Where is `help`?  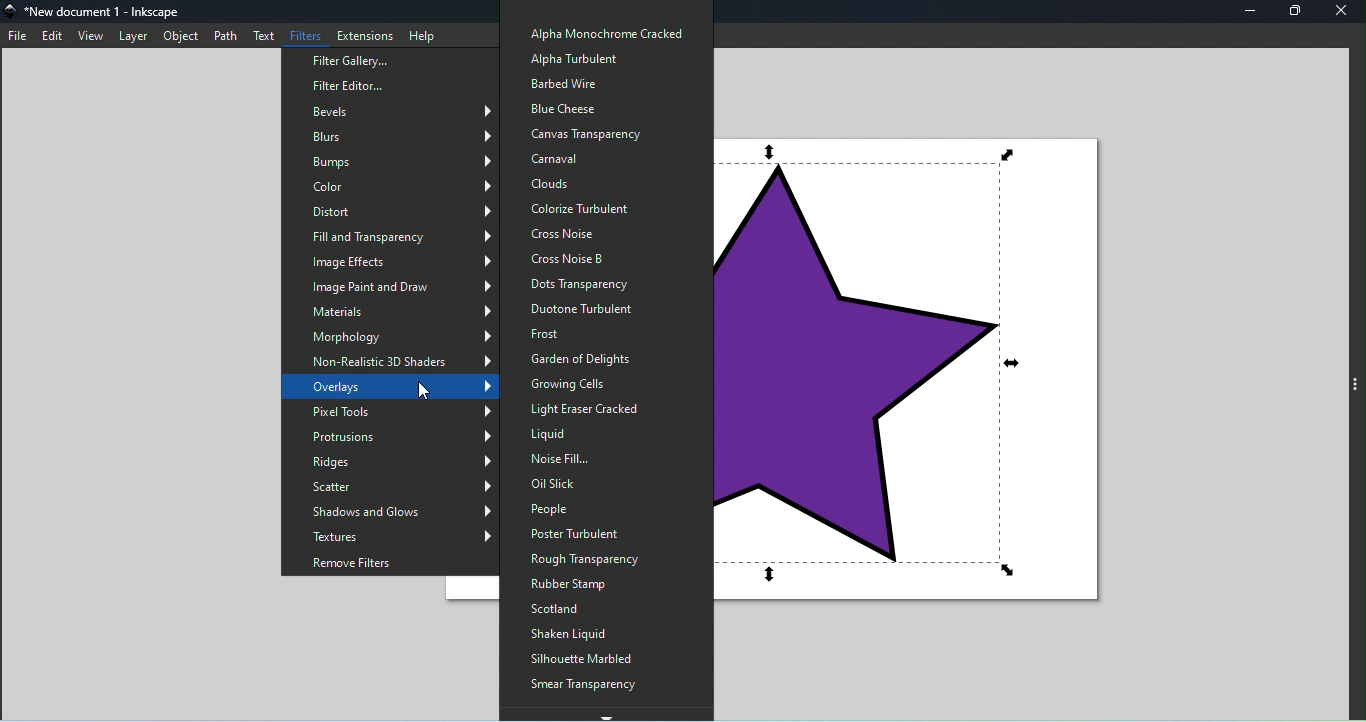
help is located at coordinates (422, 33).